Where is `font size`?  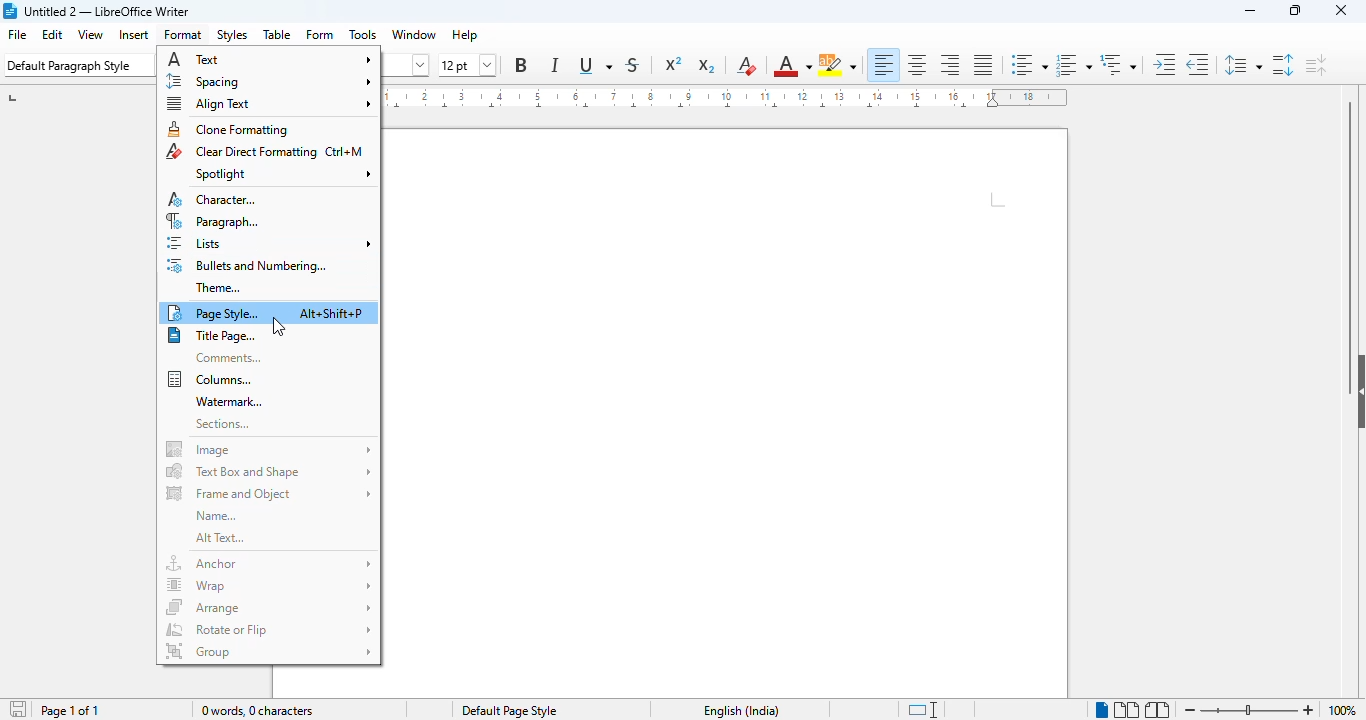
font size is located at coordinates (468, 66).